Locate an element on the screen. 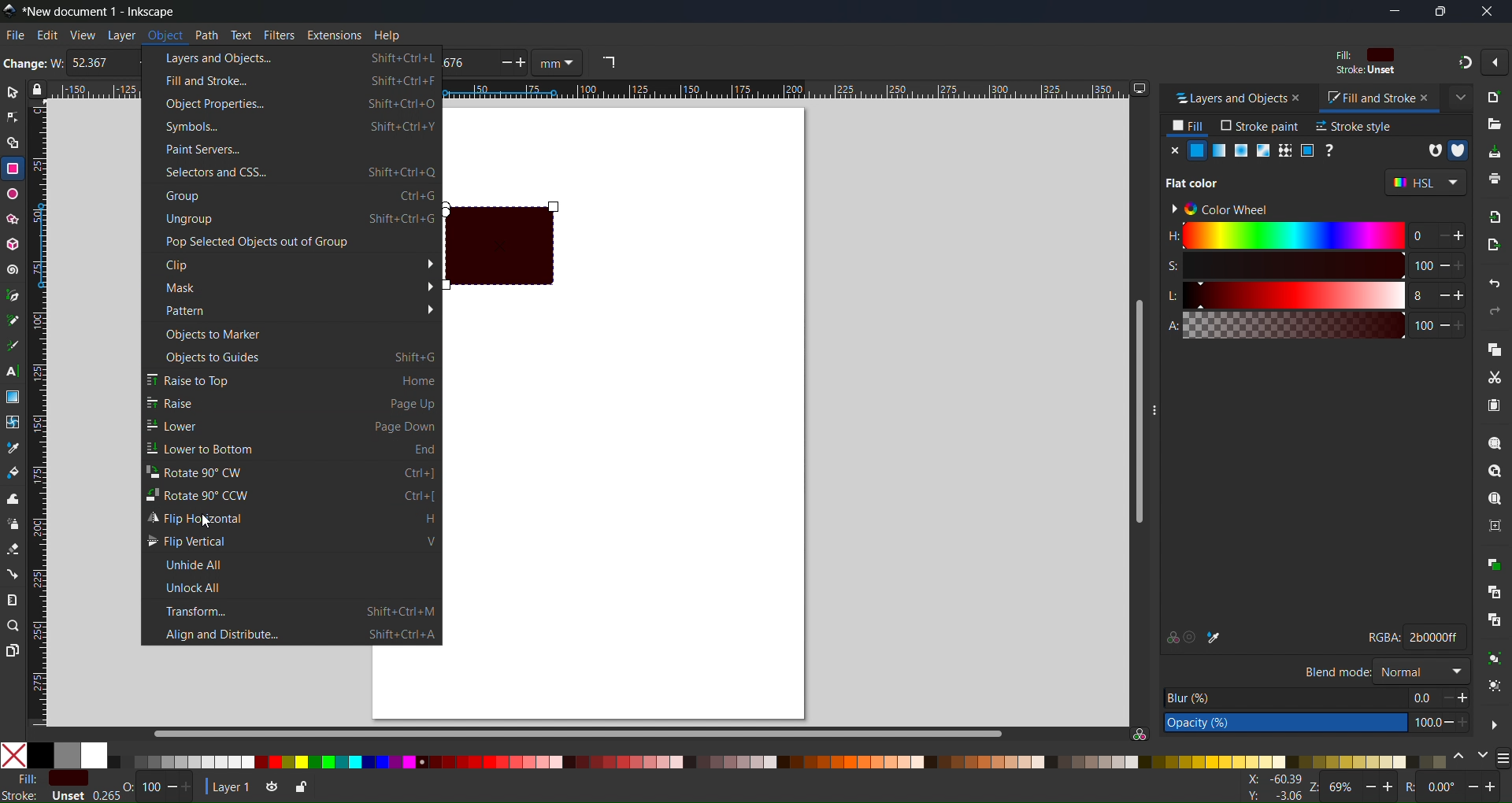 Image resolution: width=1512 pixels, height=803 pixels. decrease saturation is located at coordinates (1443, 265).